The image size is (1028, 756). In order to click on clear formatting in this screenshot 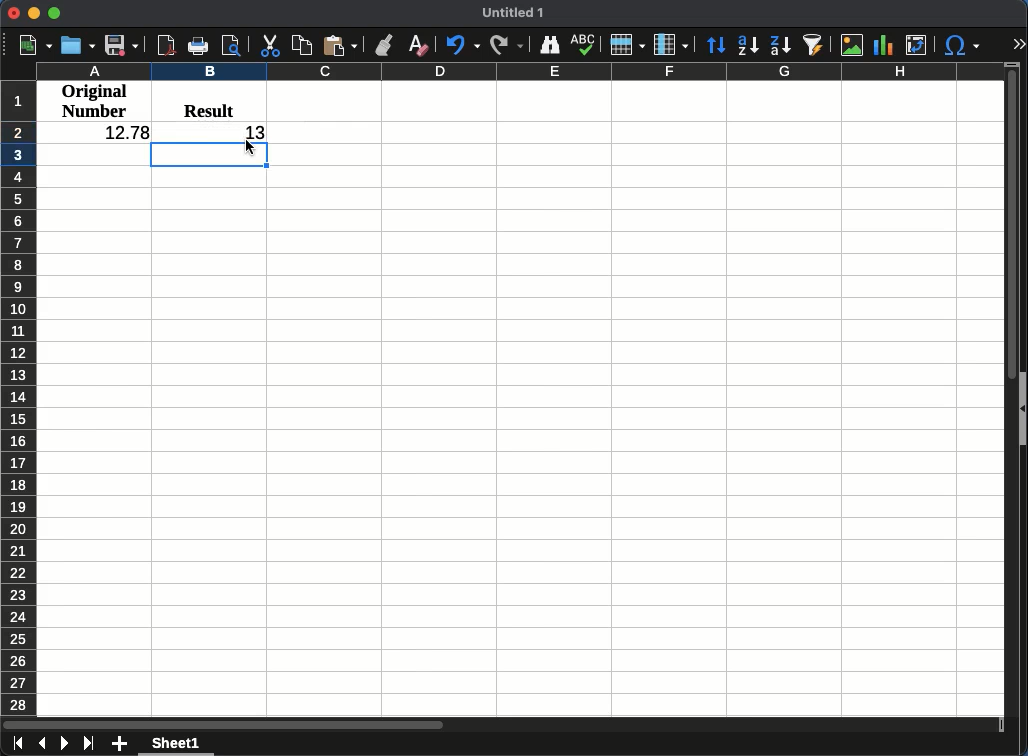, I will do `click(417, 47)`.